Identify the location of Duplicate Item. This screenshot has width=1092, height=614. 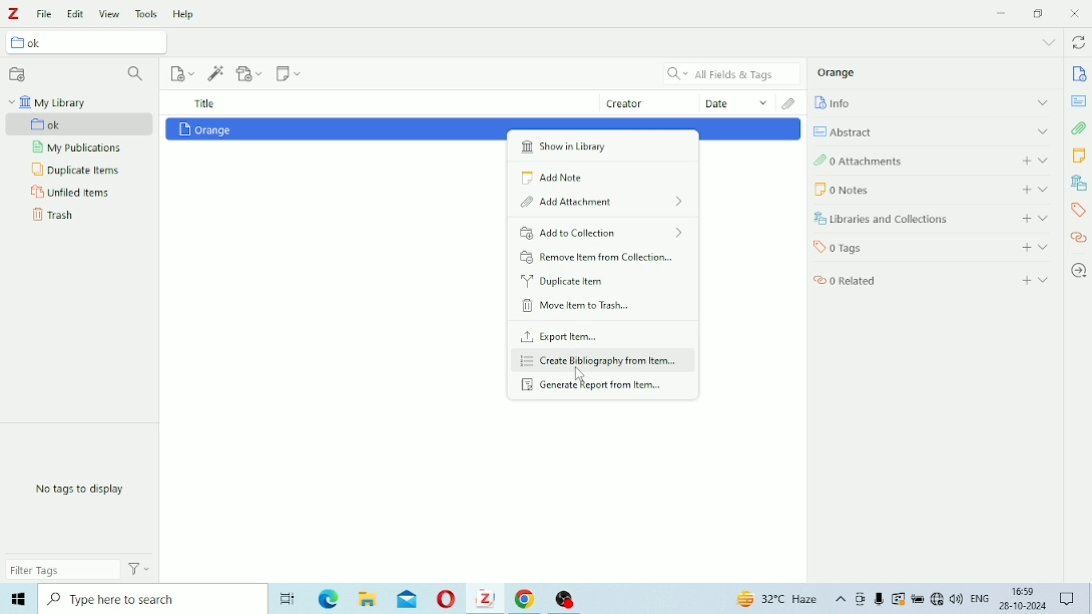
(562, 281).